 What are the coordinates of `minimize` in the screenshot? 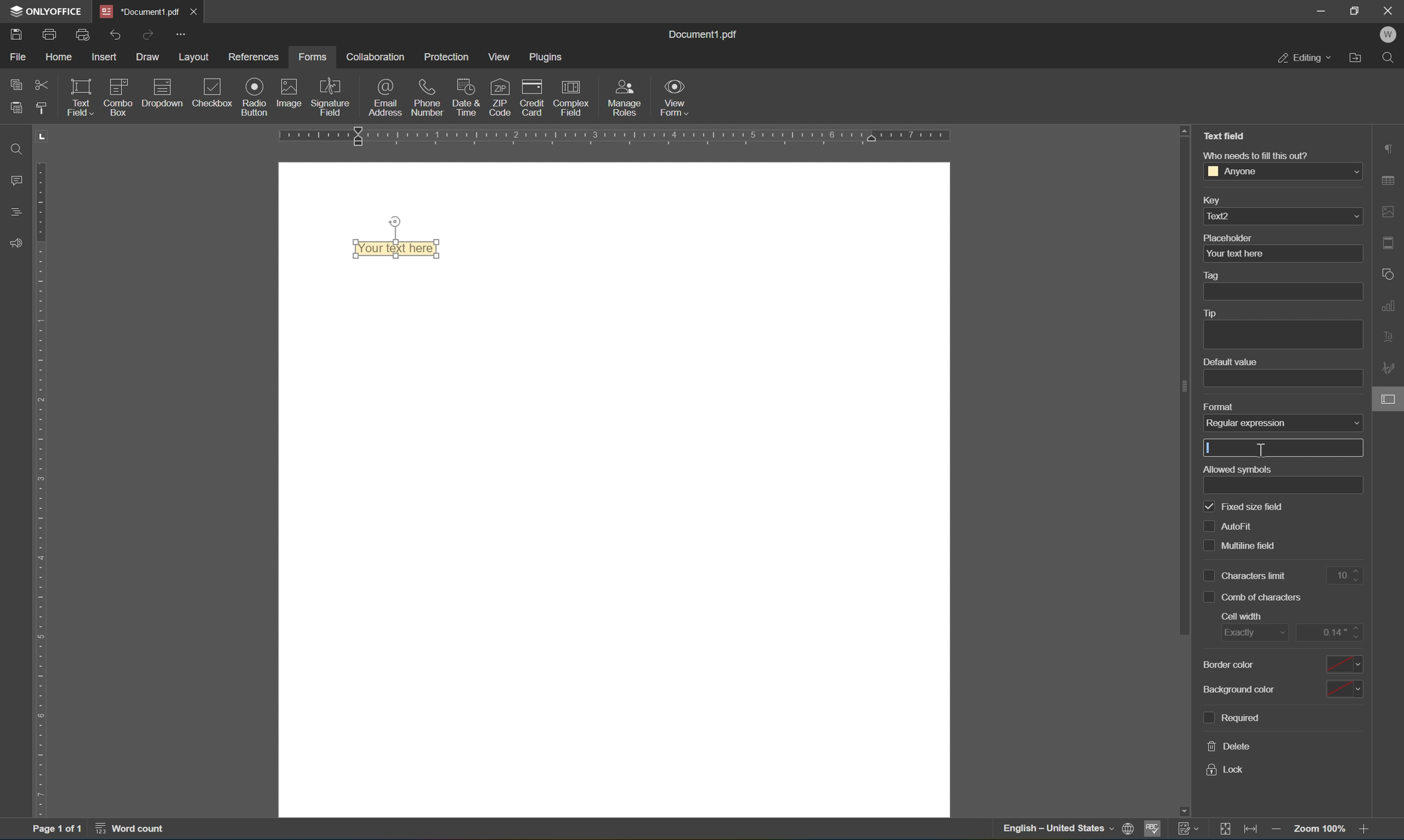 It's located at (1321, 12).